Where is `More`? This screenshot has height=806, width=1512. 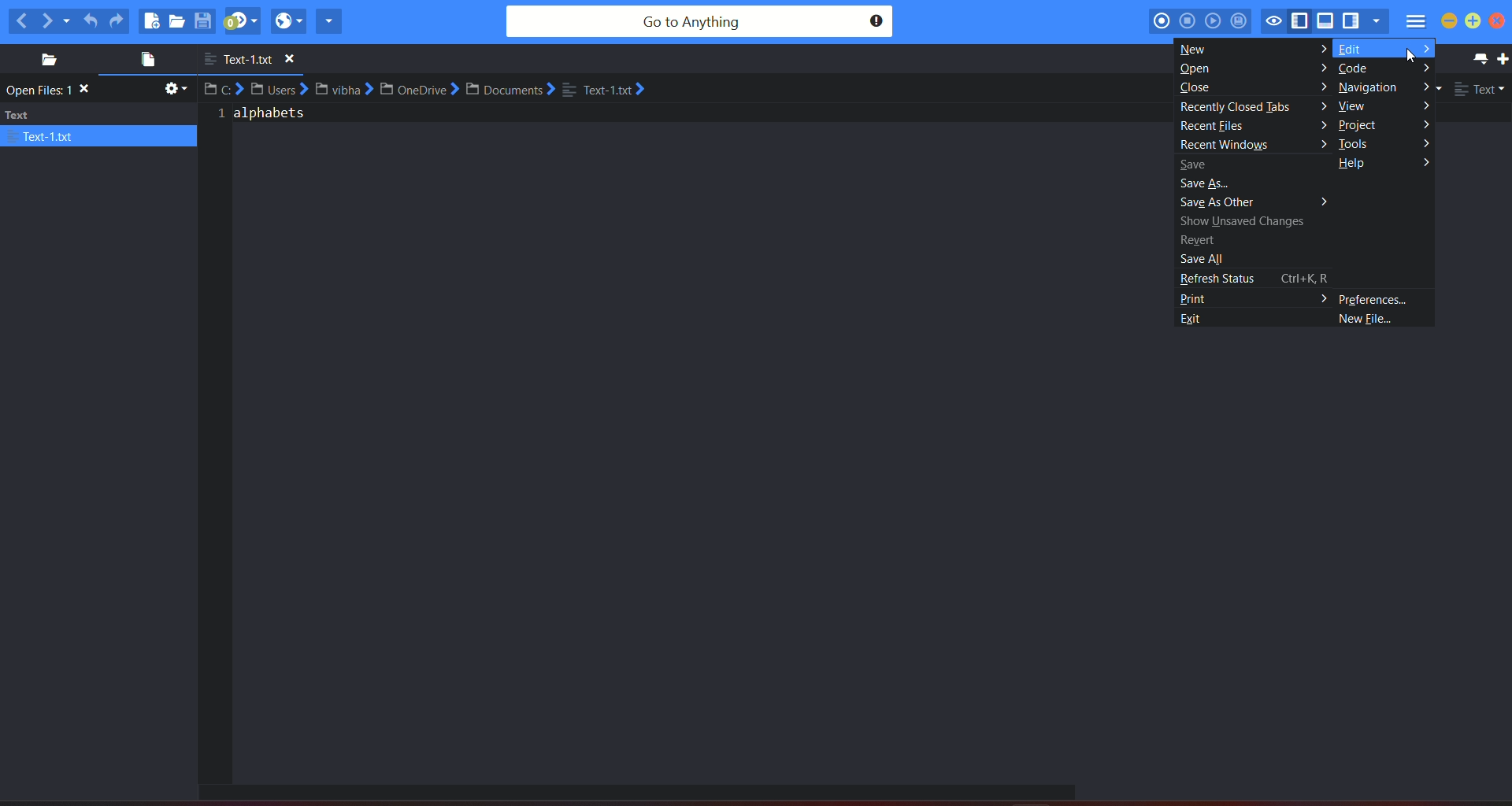
More is located at coordinates (1426, 50).